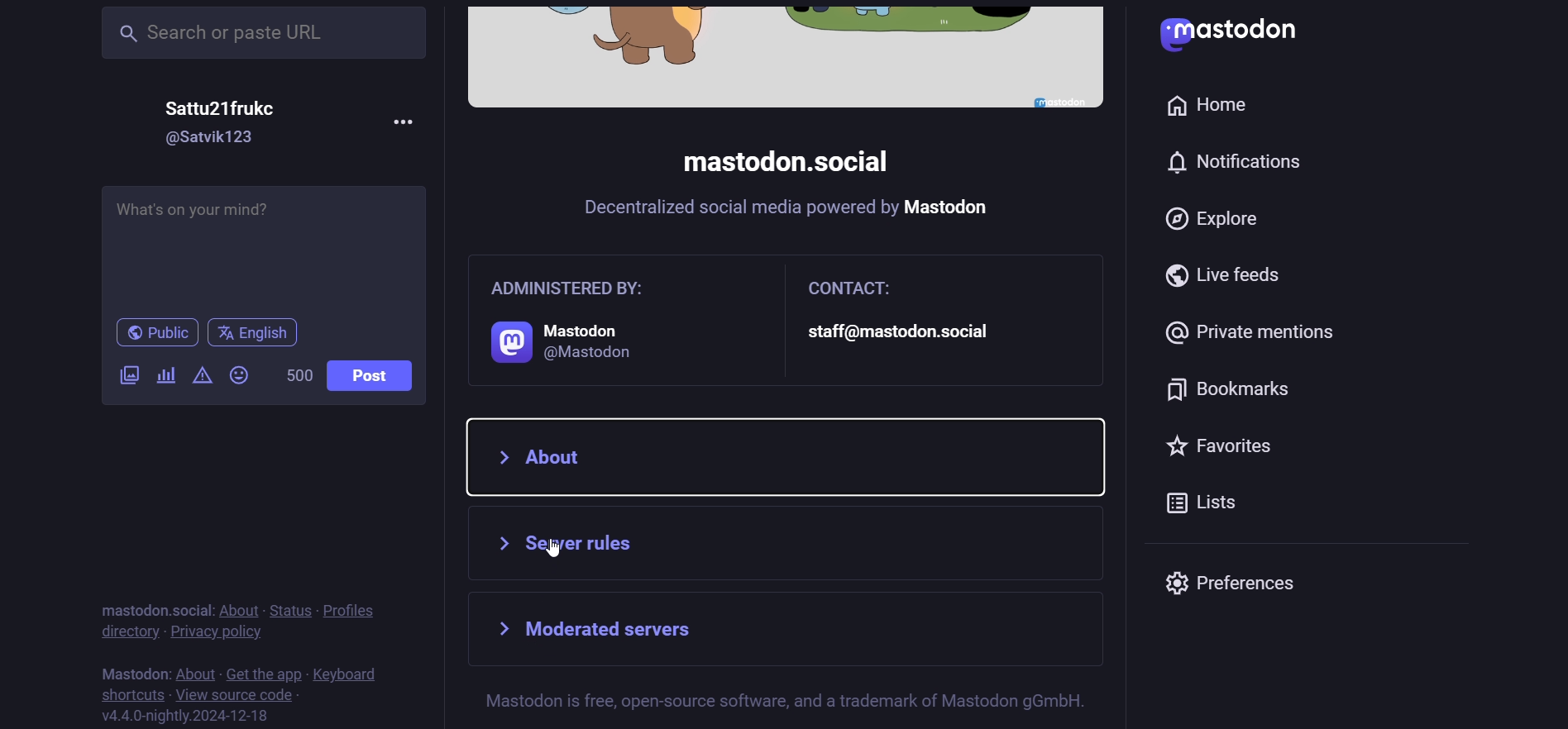 The image size is (1568, 729). What do you see at coordinates (1262, 327) in the screenshot?
I see `private mention` at bounding box center [1262, 327].